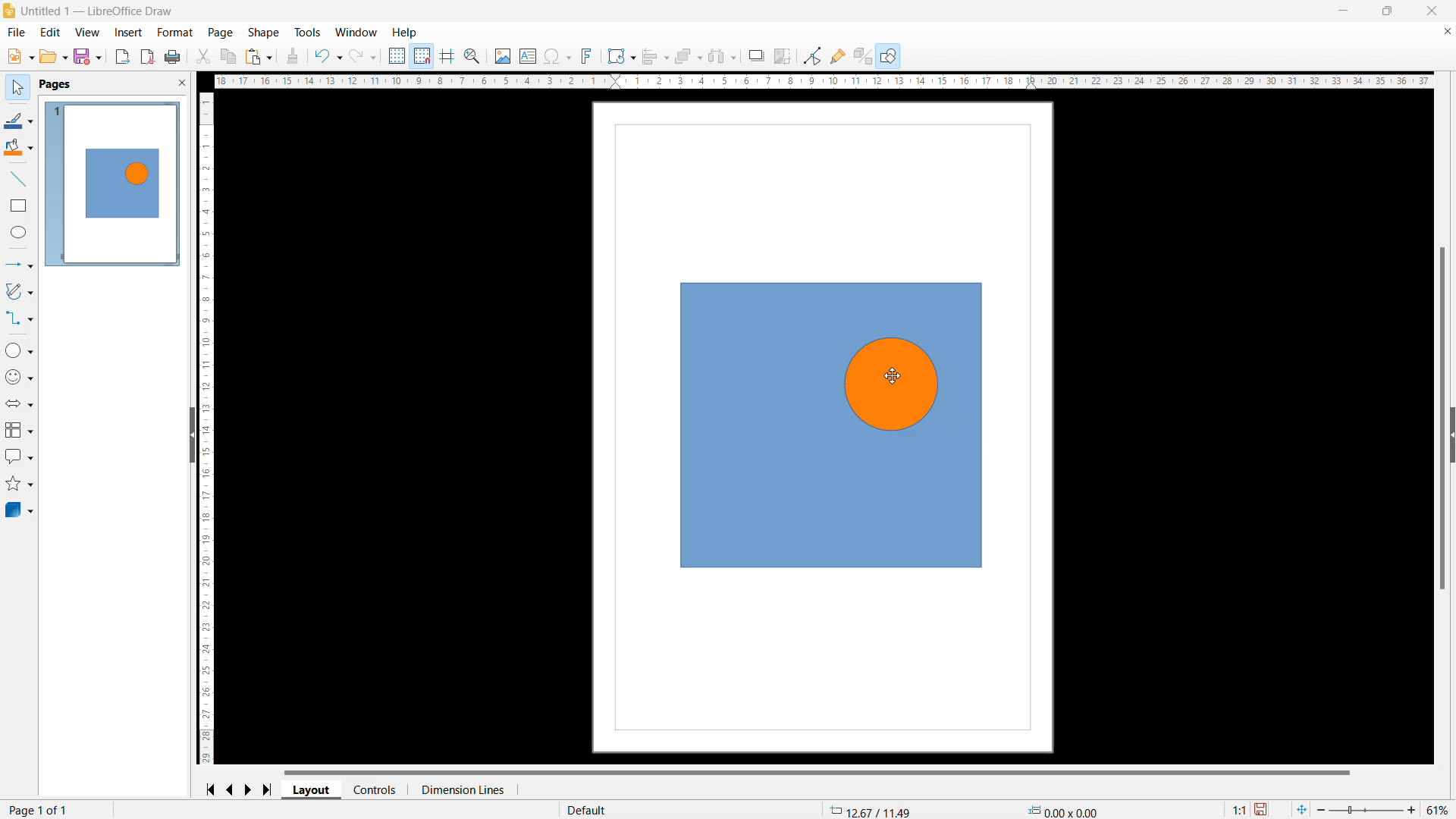 The height and width of the screenshot is (819, 1456). Describe the element at coordinates (1446, 30) in the screenshot. I see `close document` at that location.